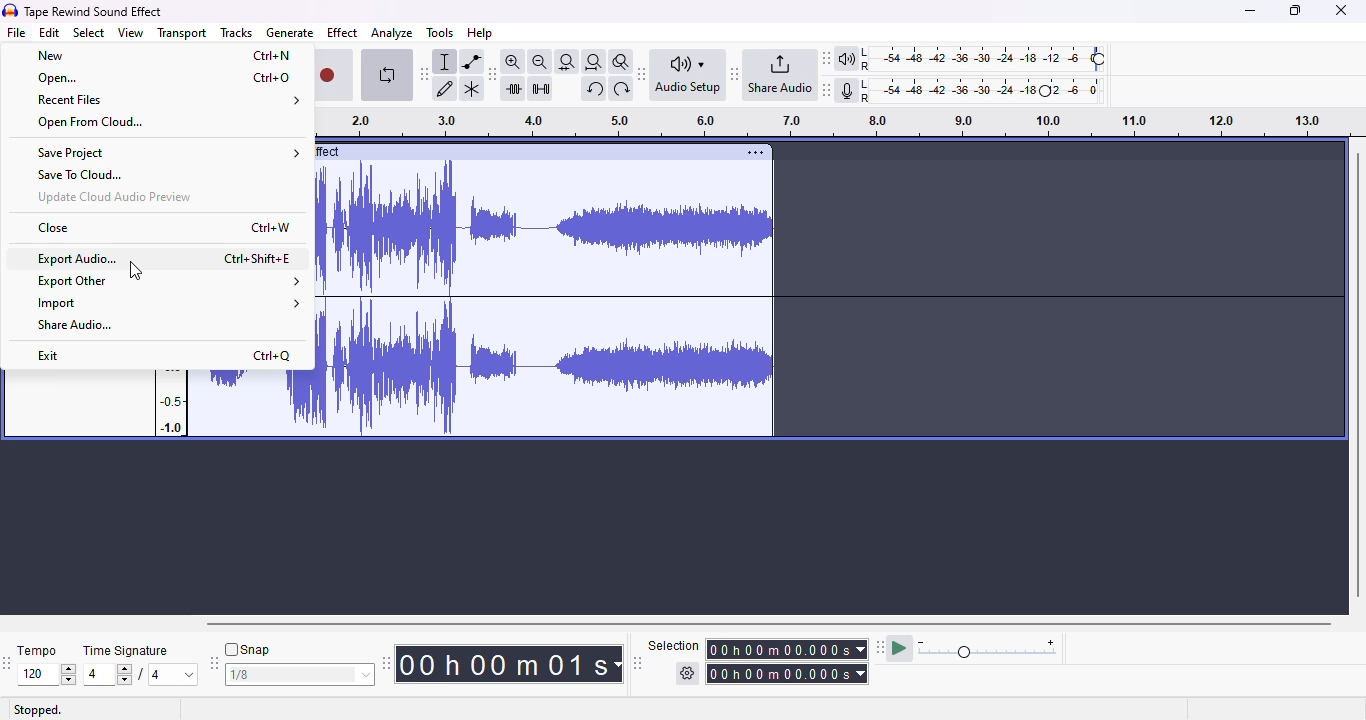 The width and height of the screenshot is (1366, 720). Describe the element at coordinates (492, 74) in the screenshot. I see `audacity edit toolbar` at that location.